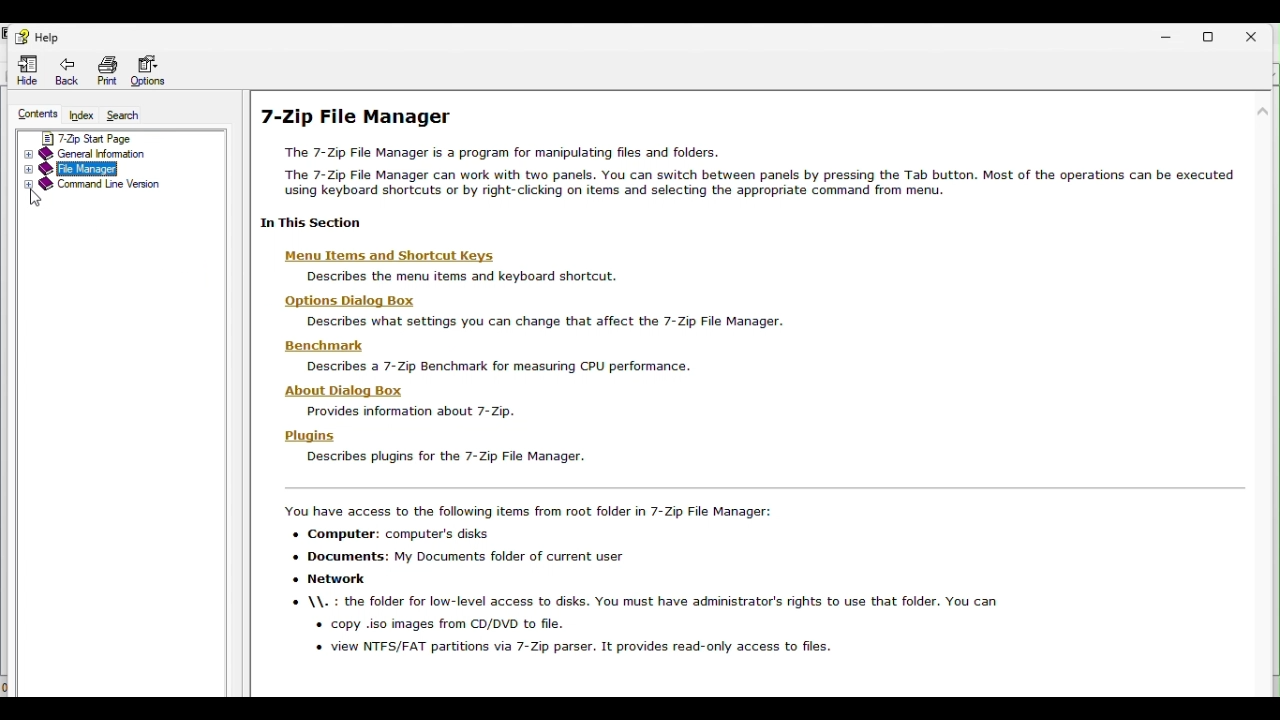 The height and width of the screenshot is (720, 1280). Describe the element at coordinates (112, 139) in the screenshot. I see `7zip start page` at that location.